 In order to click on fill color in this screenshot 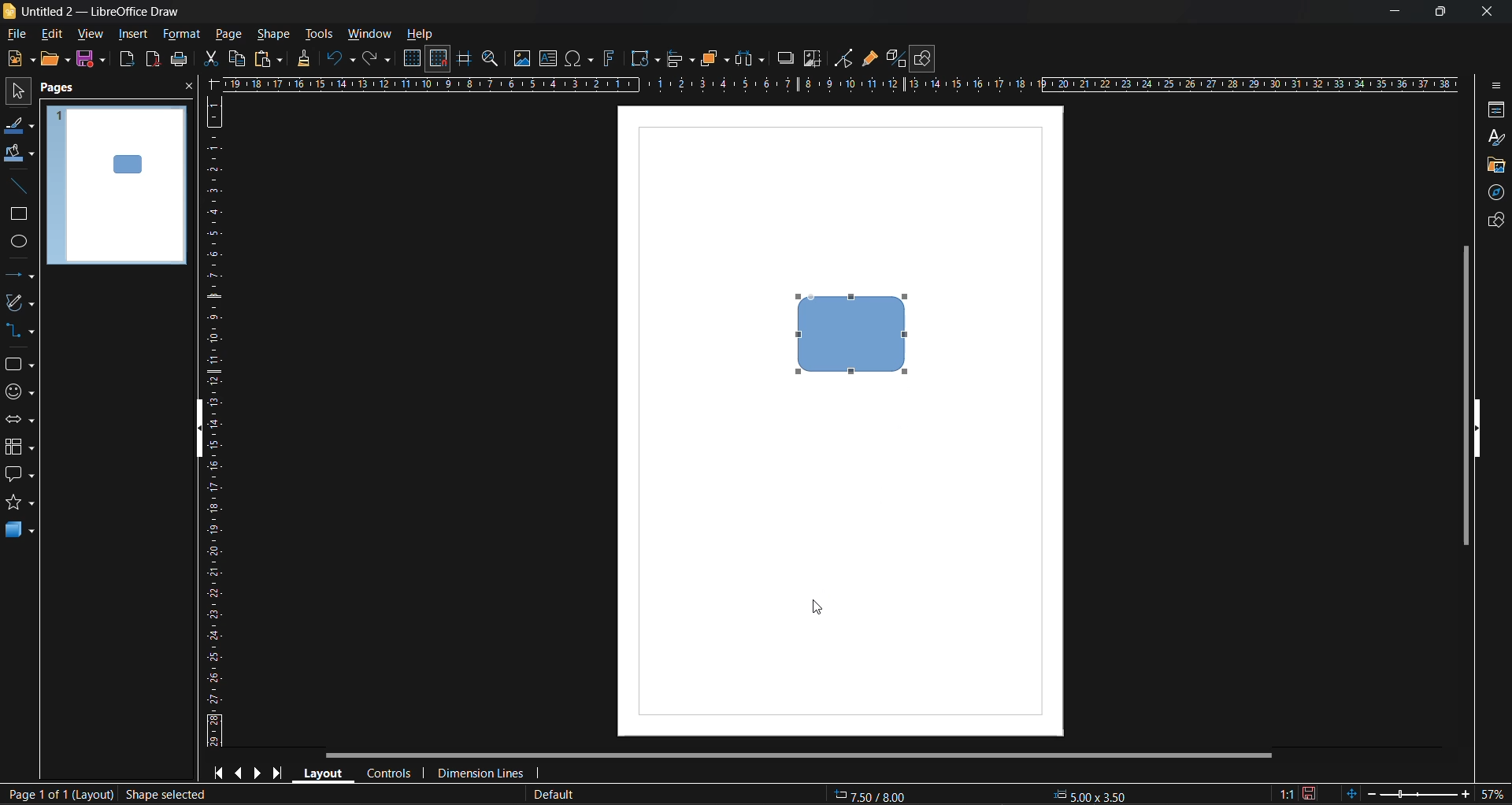, I will do `click(20, 153)`.